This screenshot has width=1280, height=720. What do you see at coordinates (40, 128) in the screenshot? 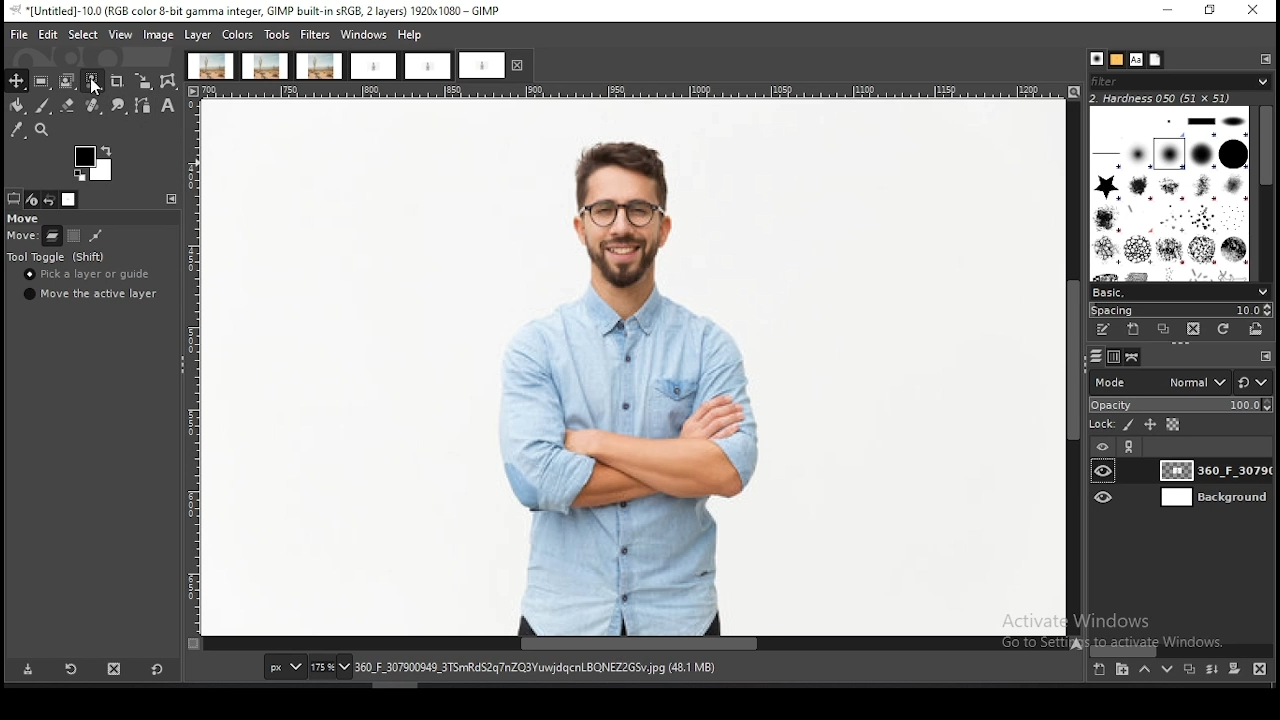
I see `zoom tool` at bounding box center [40, 128].